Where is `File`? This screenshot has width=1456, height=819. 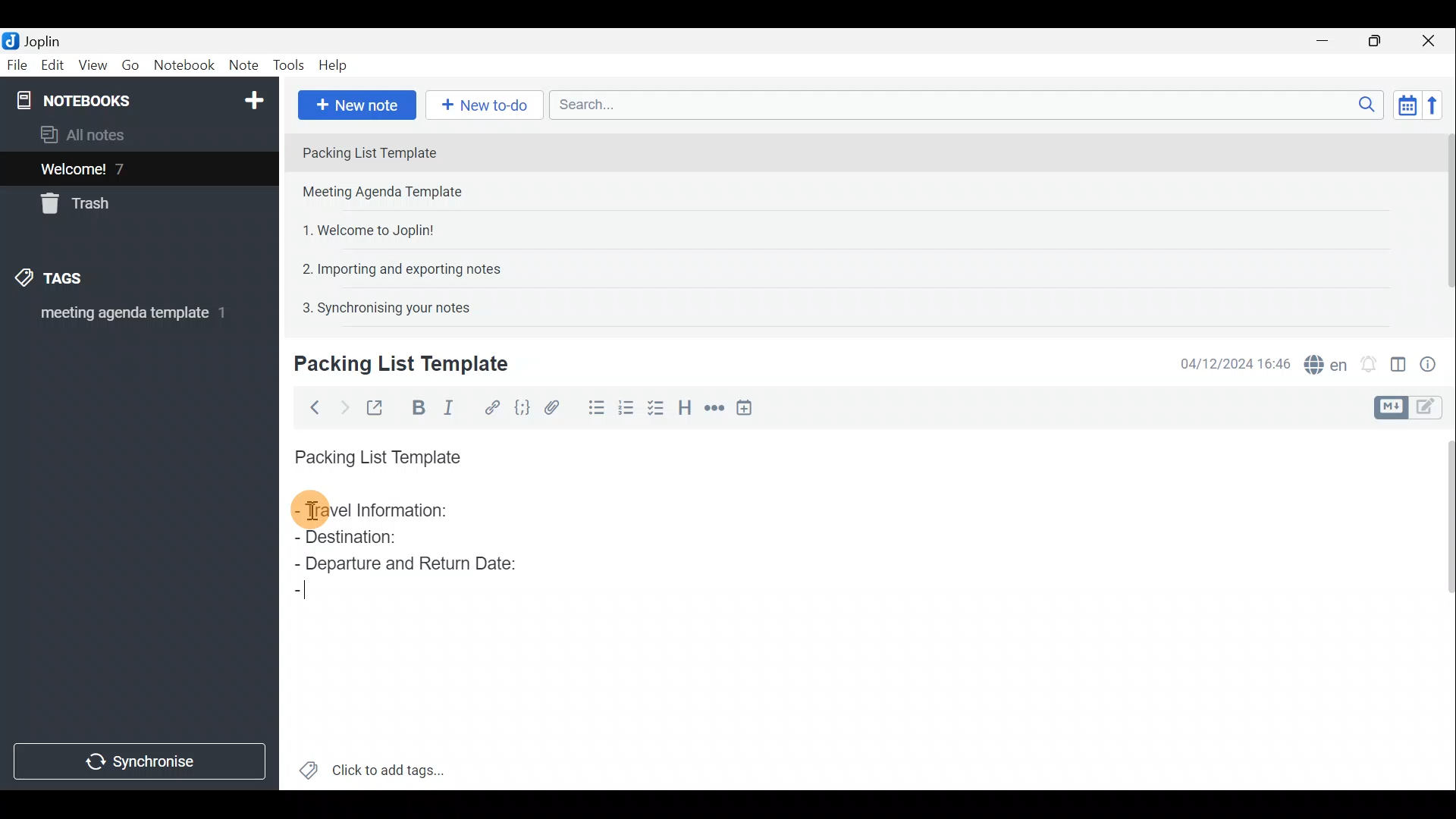
File is located at coordinates (15, 64).